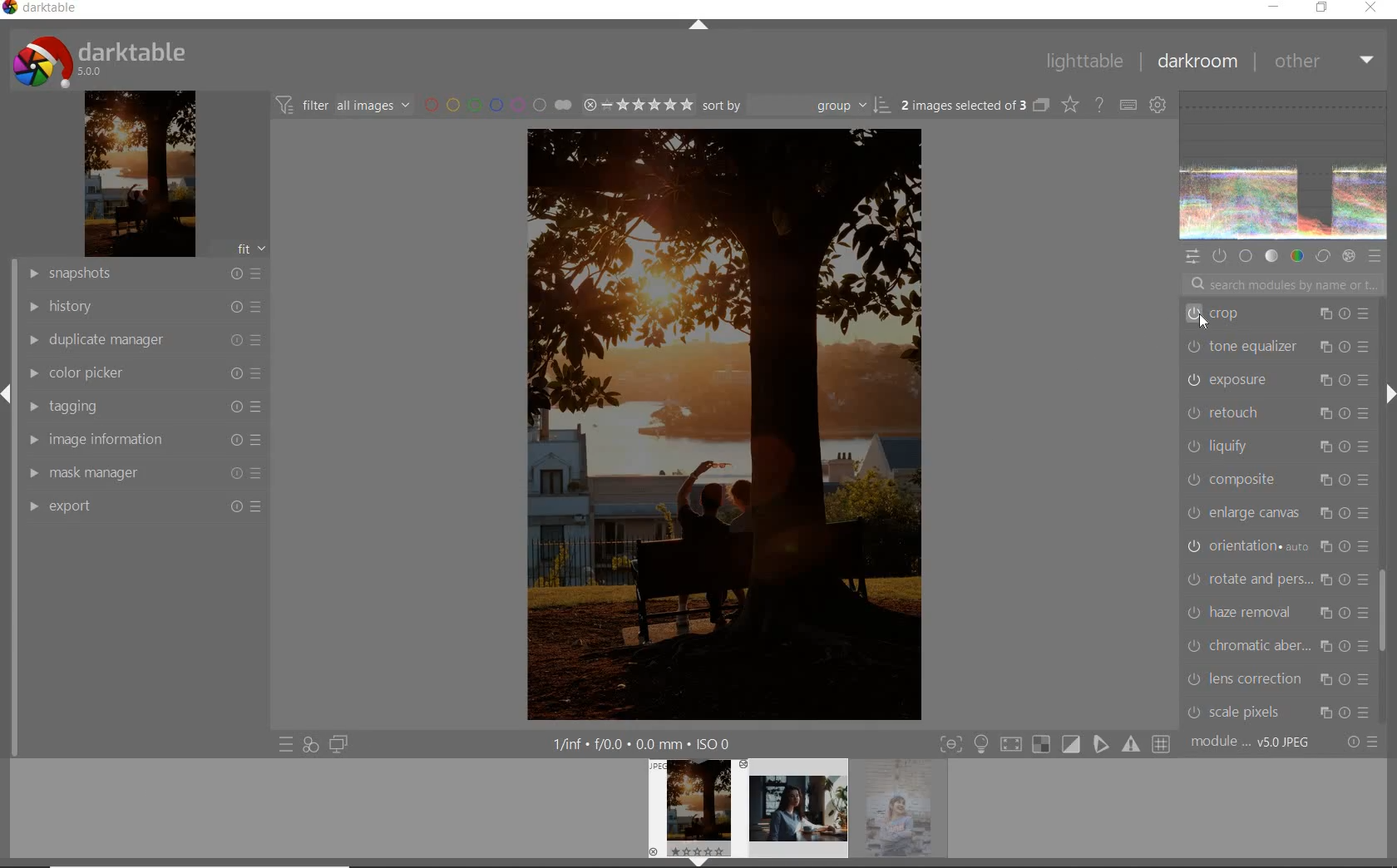 The height and width of the screenshot is (868, 1397). Describe the element at coordinates (1055, 743) in the screenshot. I see `toggle mode` at that location.